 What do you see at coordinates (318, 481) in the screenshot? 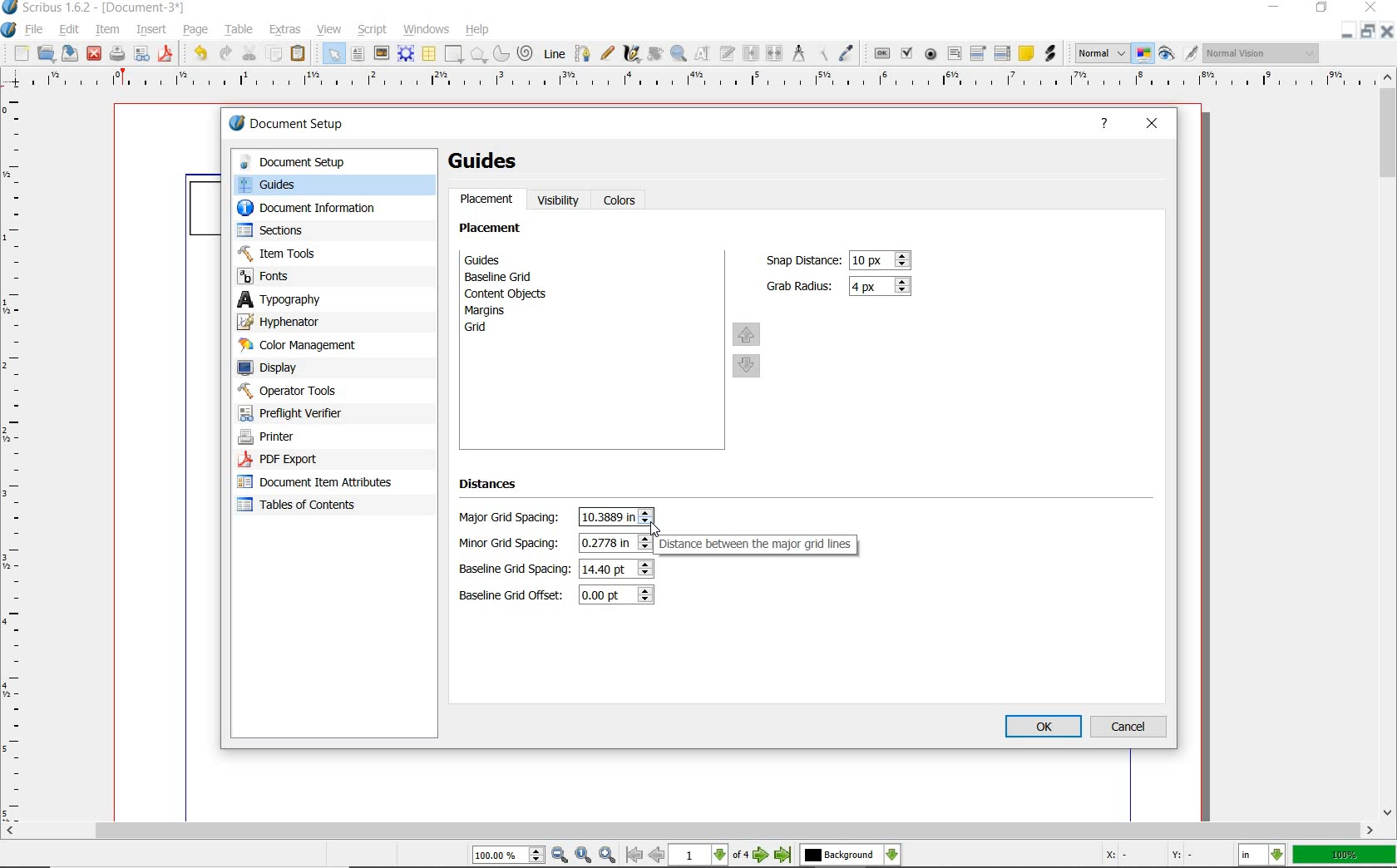
I see `document item attributes` at bounding box center [318, 481].